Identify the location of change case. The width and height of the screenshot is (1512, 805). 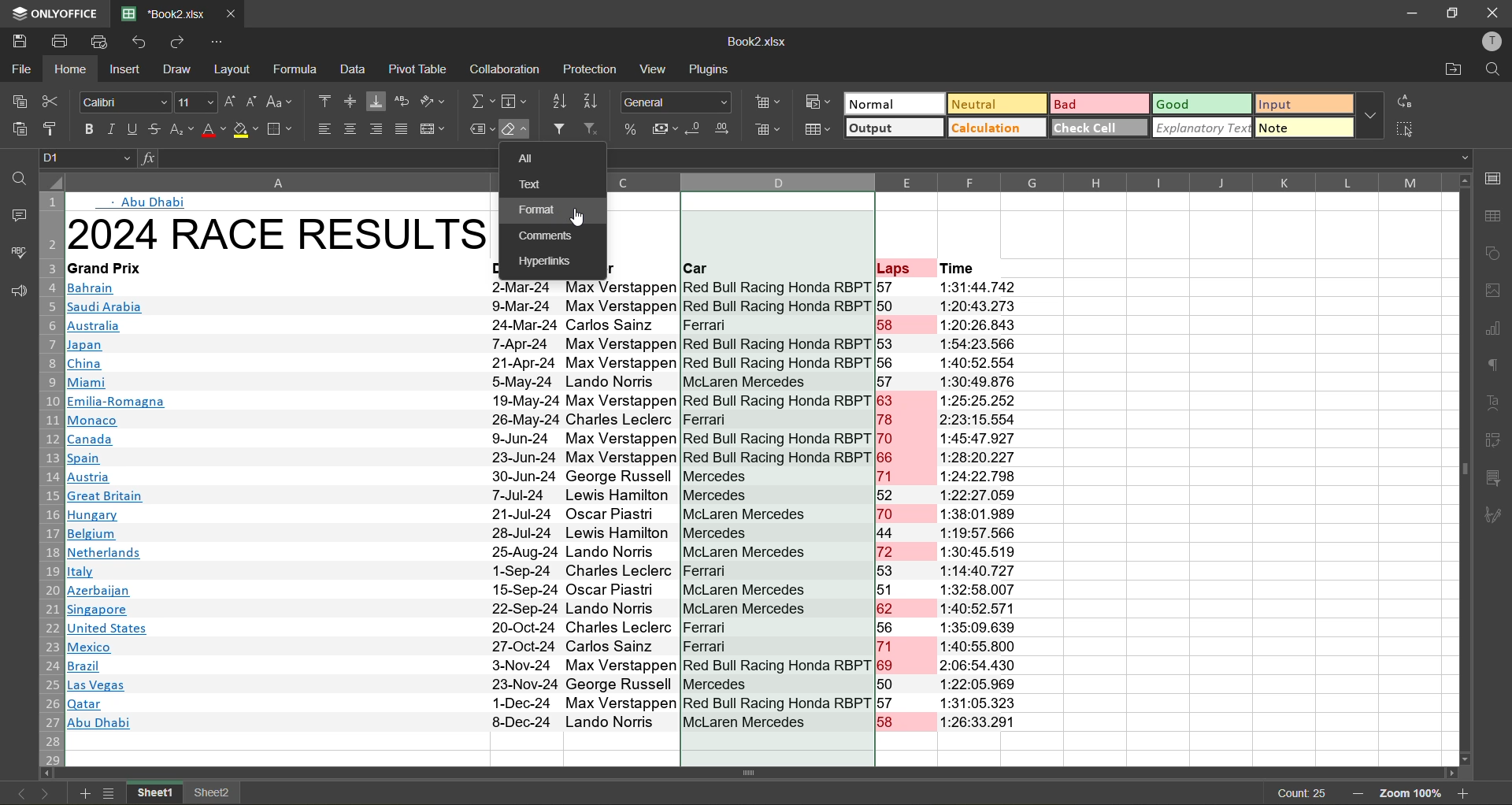
(282, 102).